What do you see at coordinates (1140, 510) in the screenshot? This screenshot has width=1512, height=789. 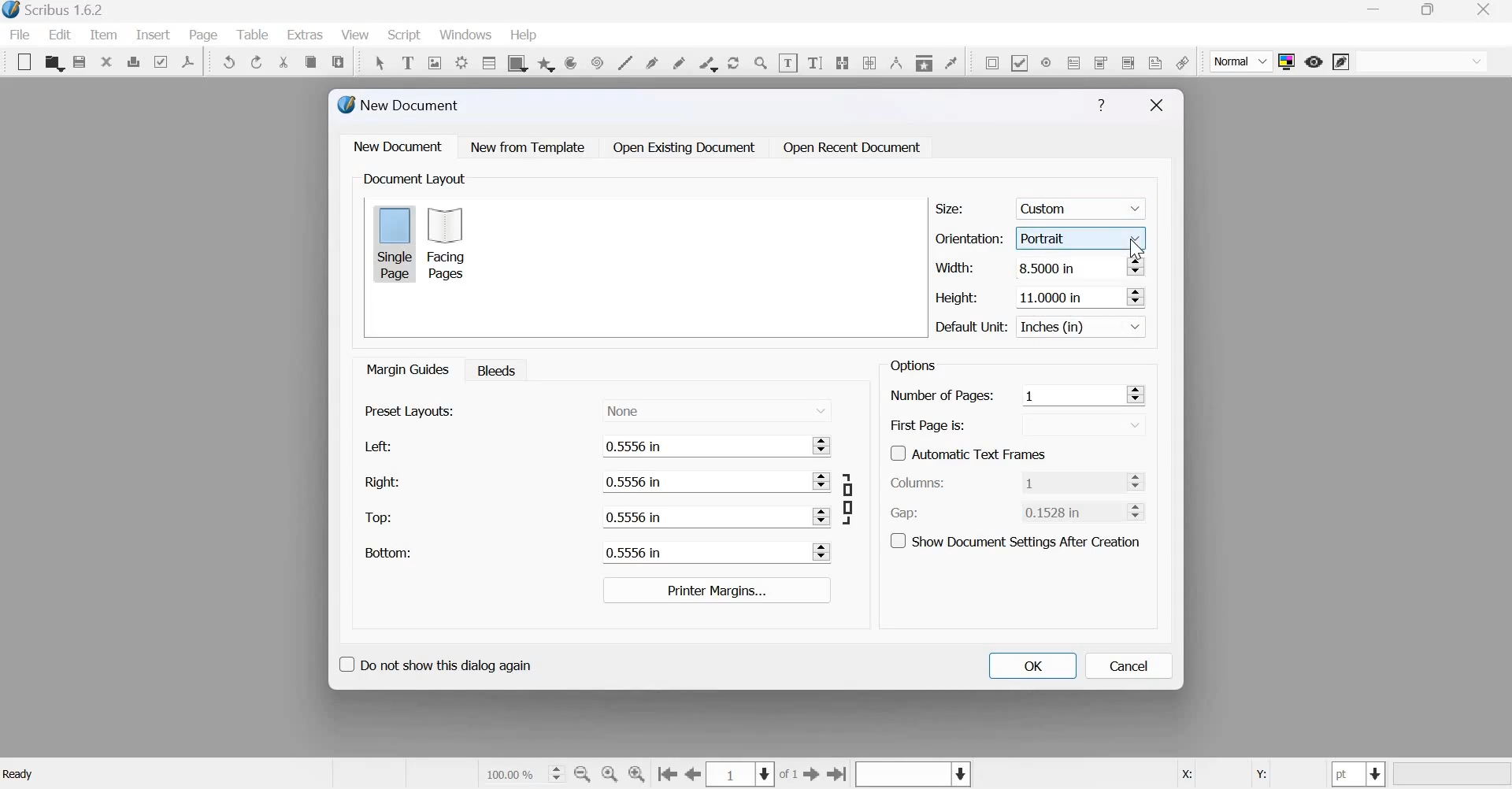 I see `Increase and Decrease` at bounding box center [1140, 510].